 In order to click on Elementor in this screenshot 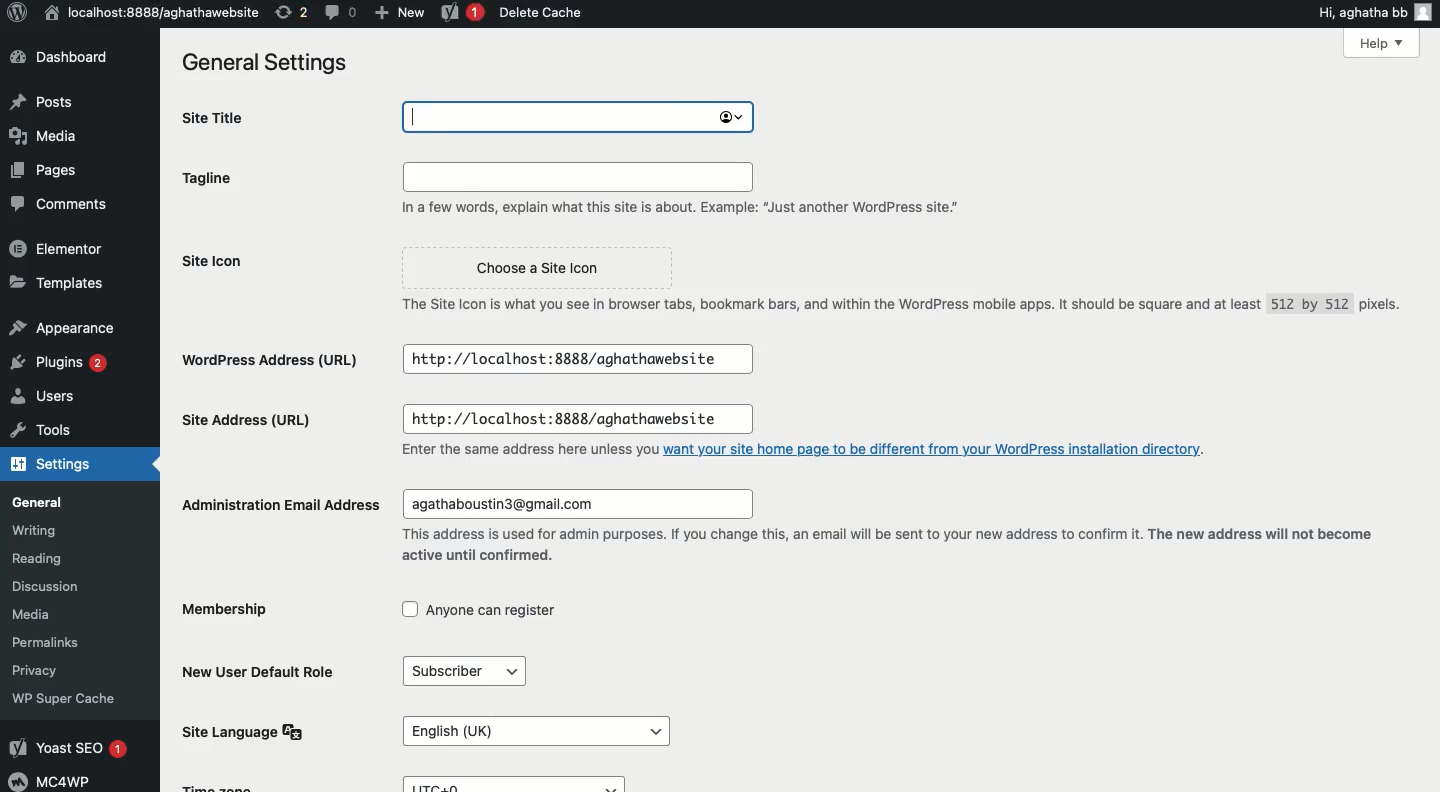, I will do `click(53, 247)`.